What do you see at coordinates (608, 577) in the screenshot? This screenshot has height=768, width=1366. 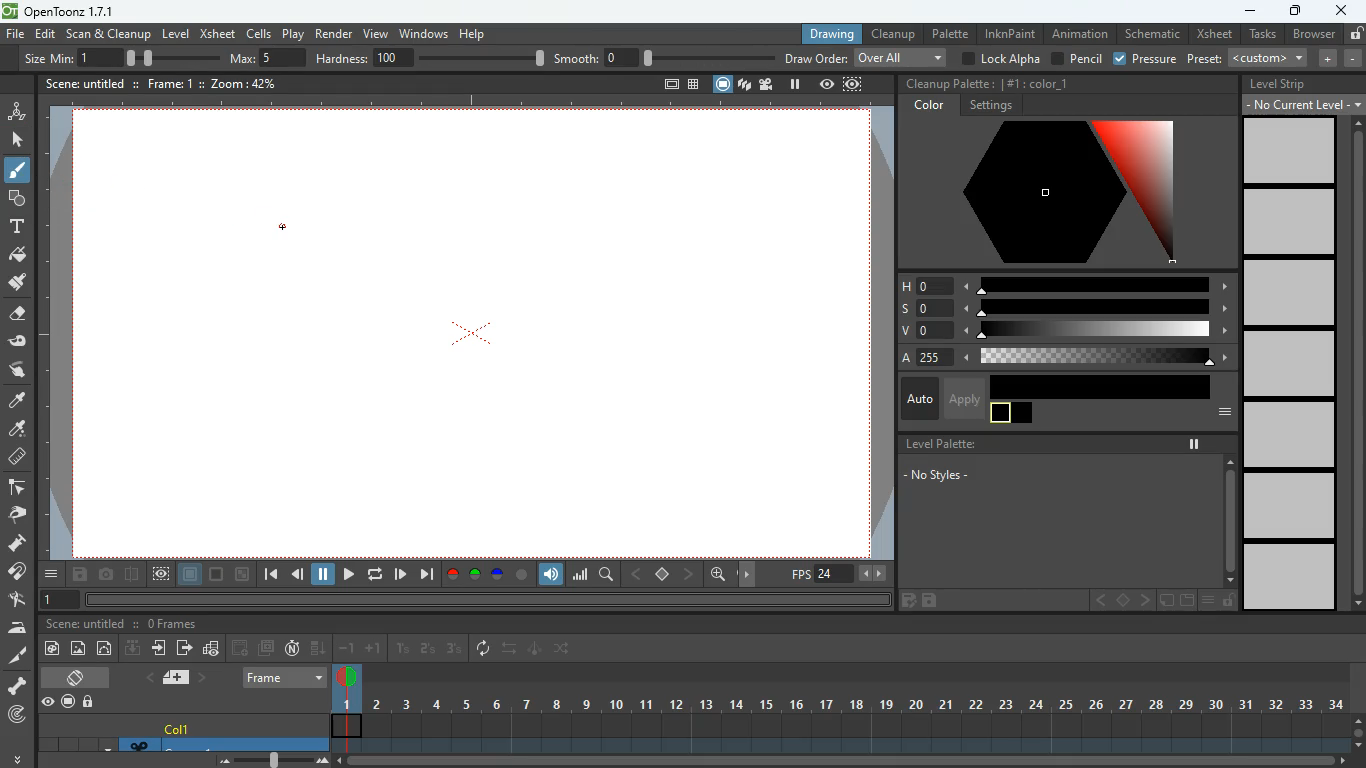 I see `search` at bounding box center [608, 577].